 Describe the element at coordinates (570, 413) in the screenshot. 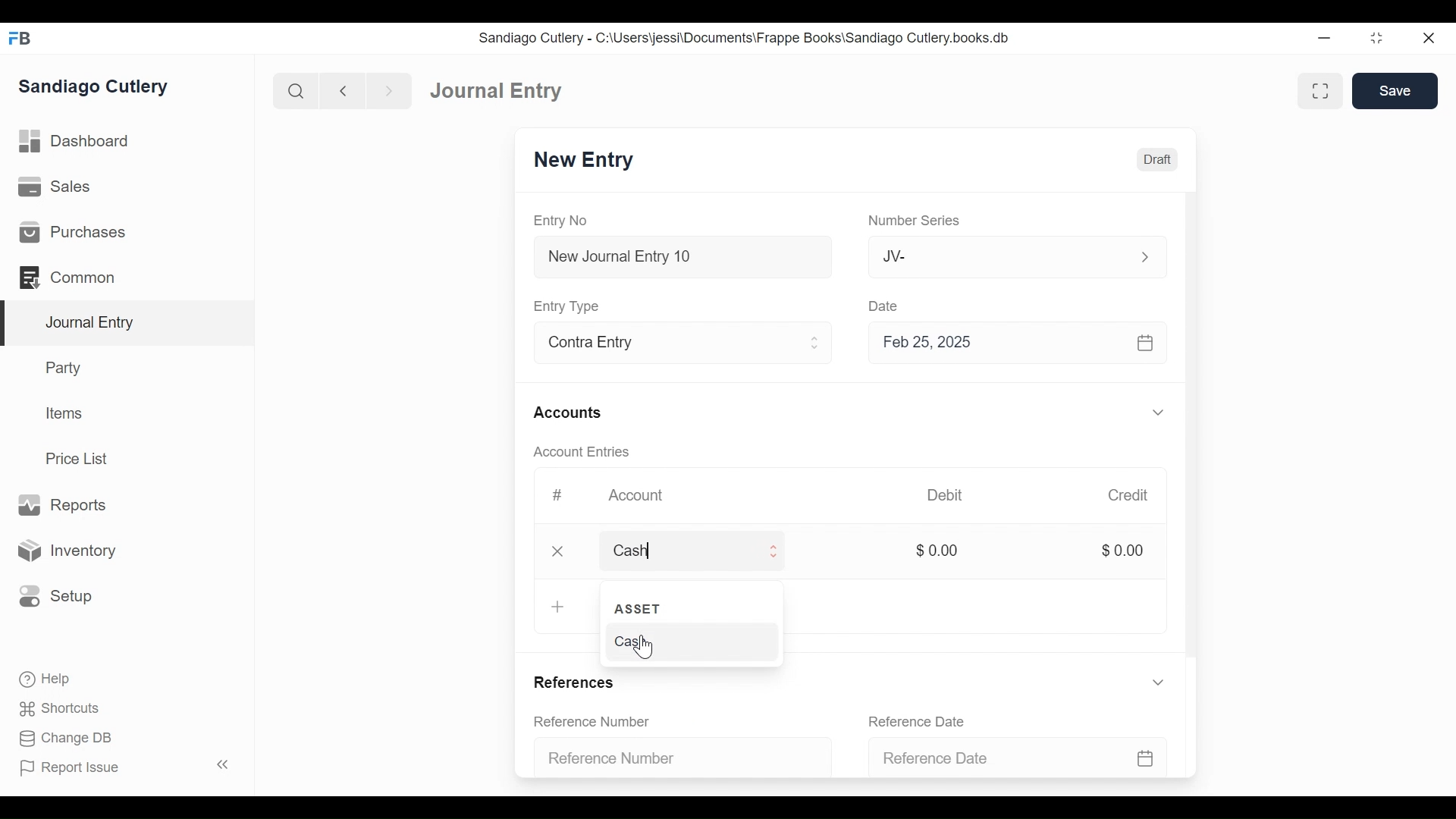

I see `Accounts` at that location.